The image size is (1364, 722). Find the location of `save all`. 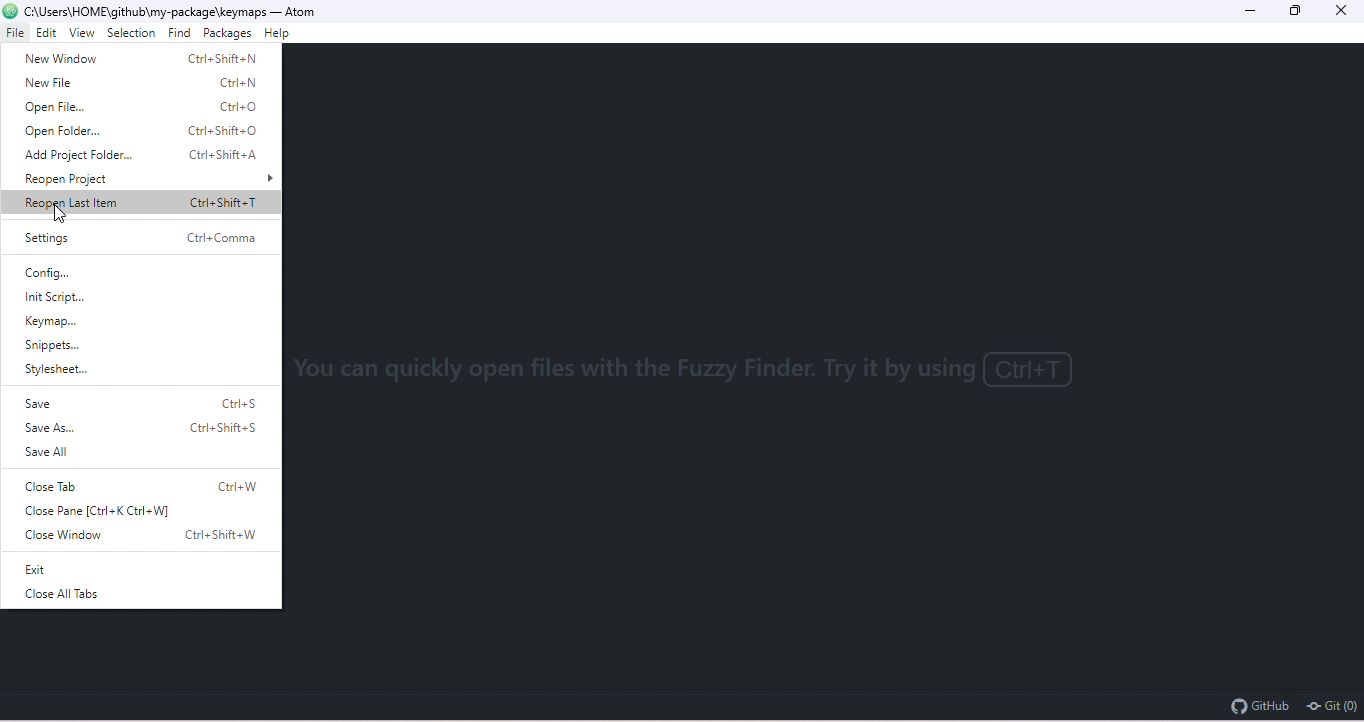

save all is located at coordinates (123, 452).